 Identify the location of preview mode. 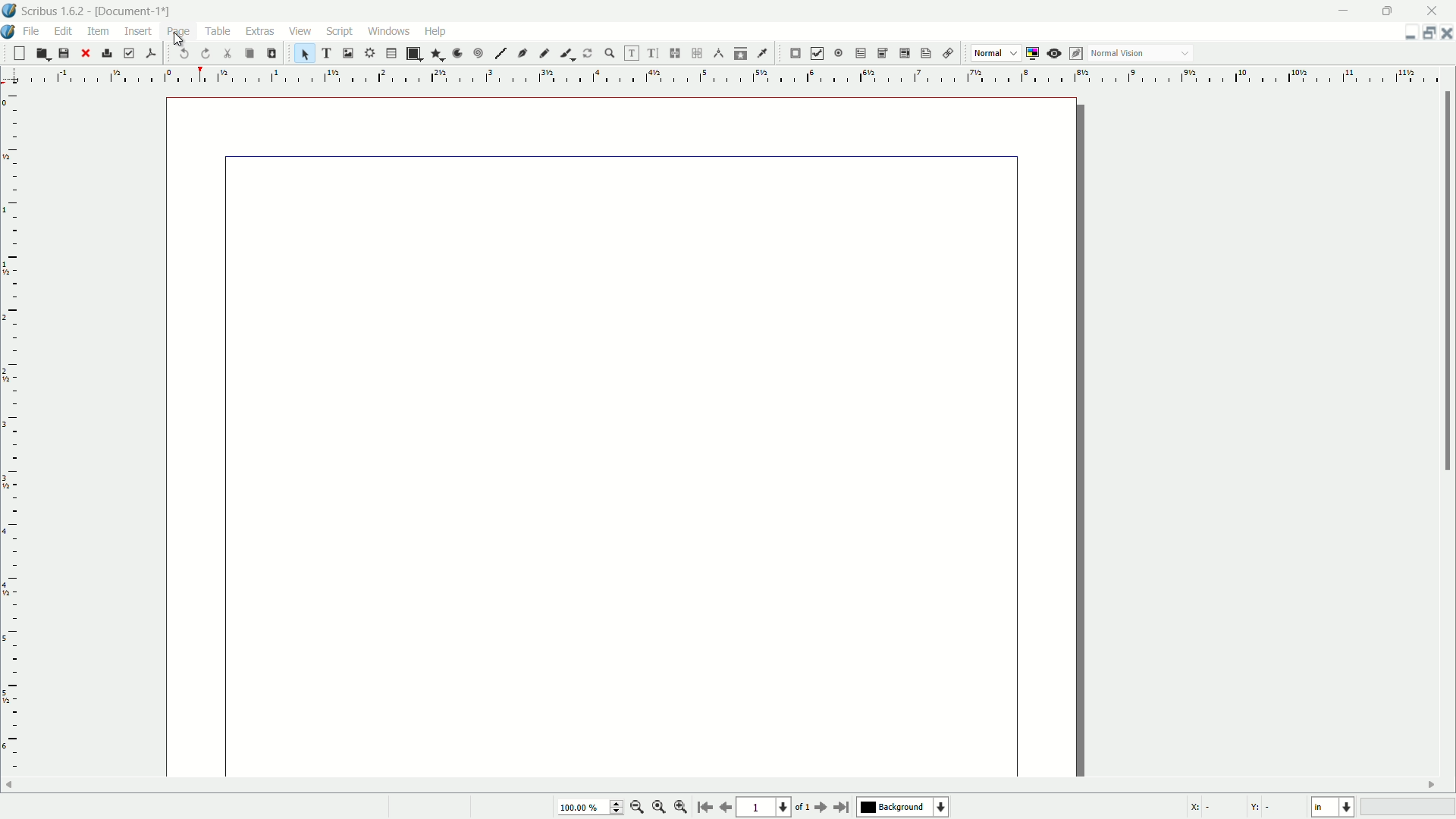
(1056, 53).